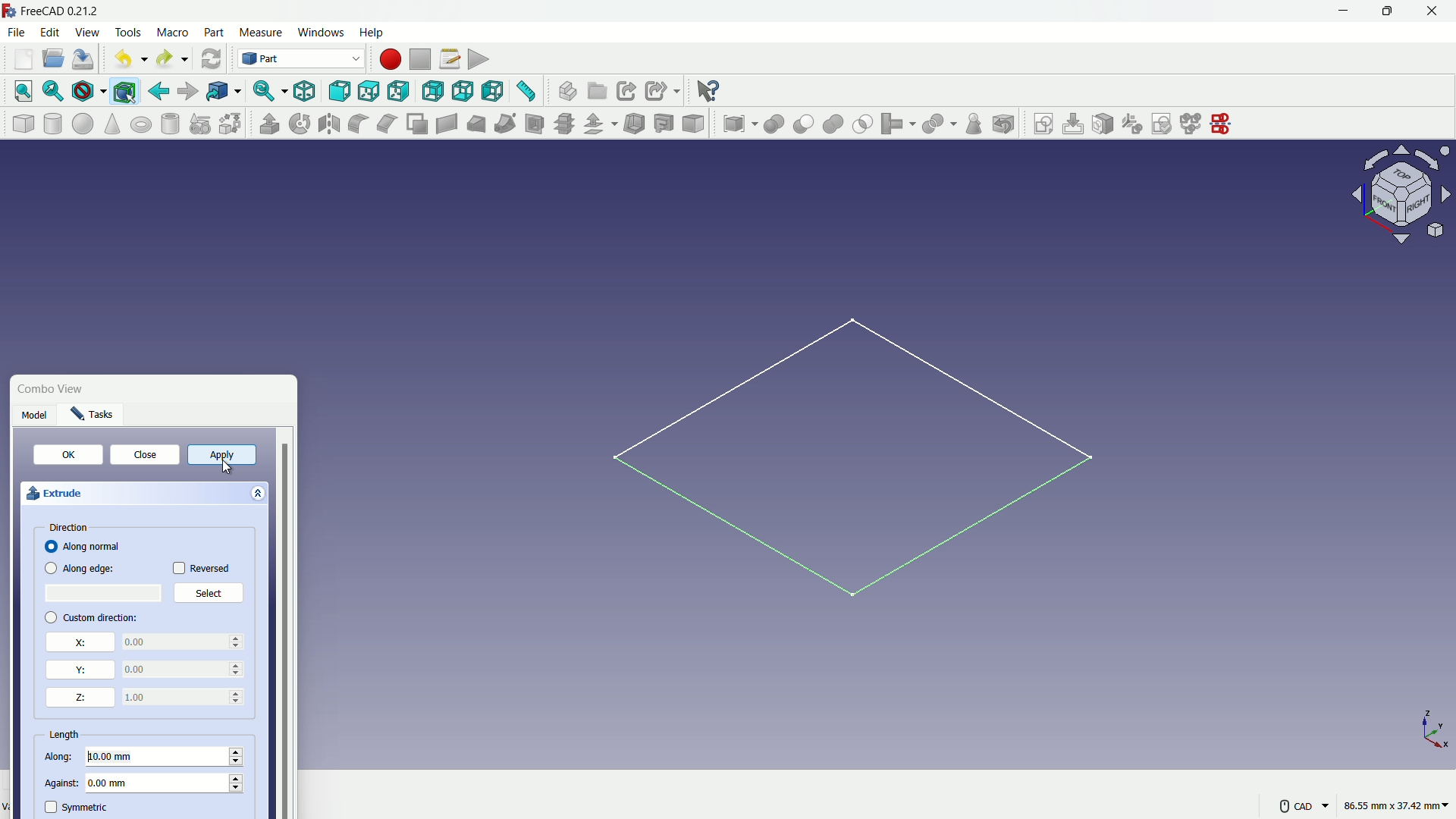  I want to click on join object, so click(897, 123).